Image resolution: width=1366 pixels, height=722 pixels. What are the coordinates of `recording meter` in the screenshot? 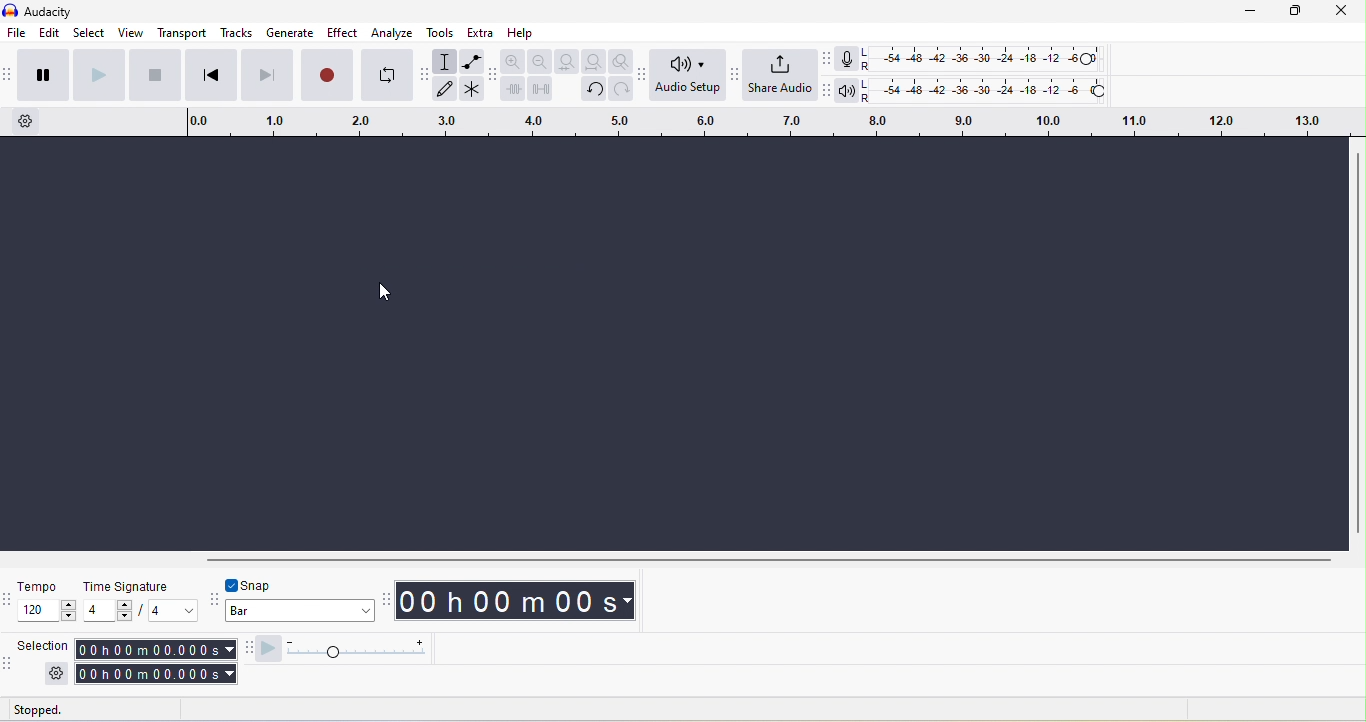 It's located at (846, 58).